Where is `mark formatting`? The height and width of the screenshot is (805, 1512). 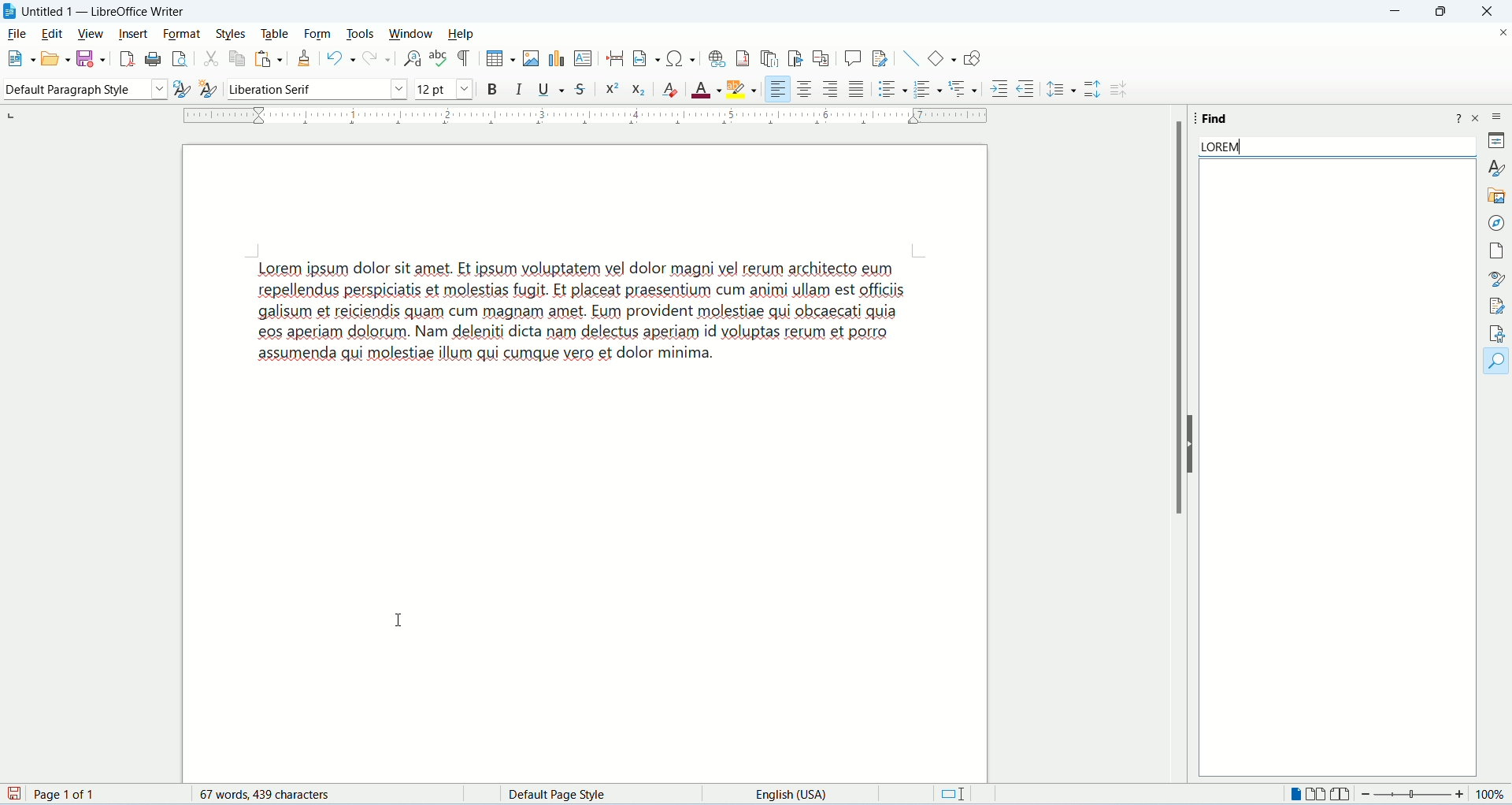
mark formatting is located at coordinates (464, 58).